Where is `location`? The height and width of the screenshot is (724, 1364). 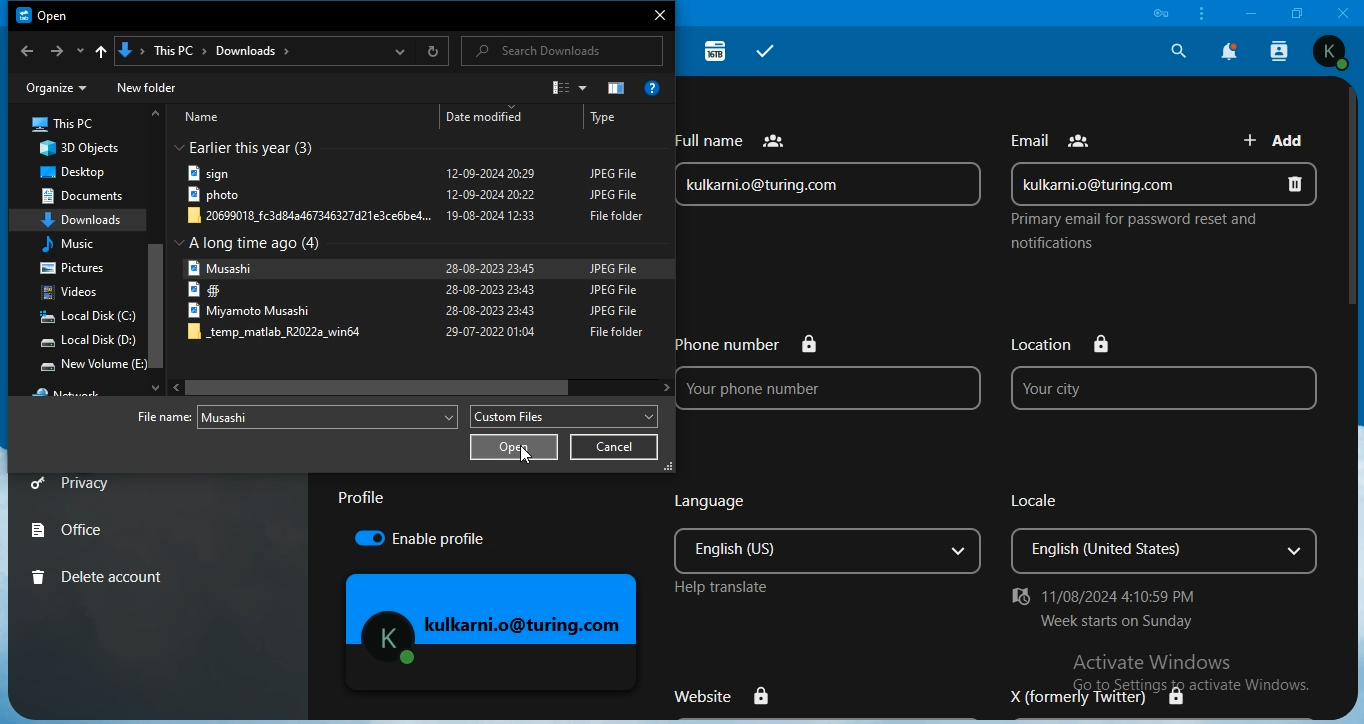
location is located at coordinates (279, 51).